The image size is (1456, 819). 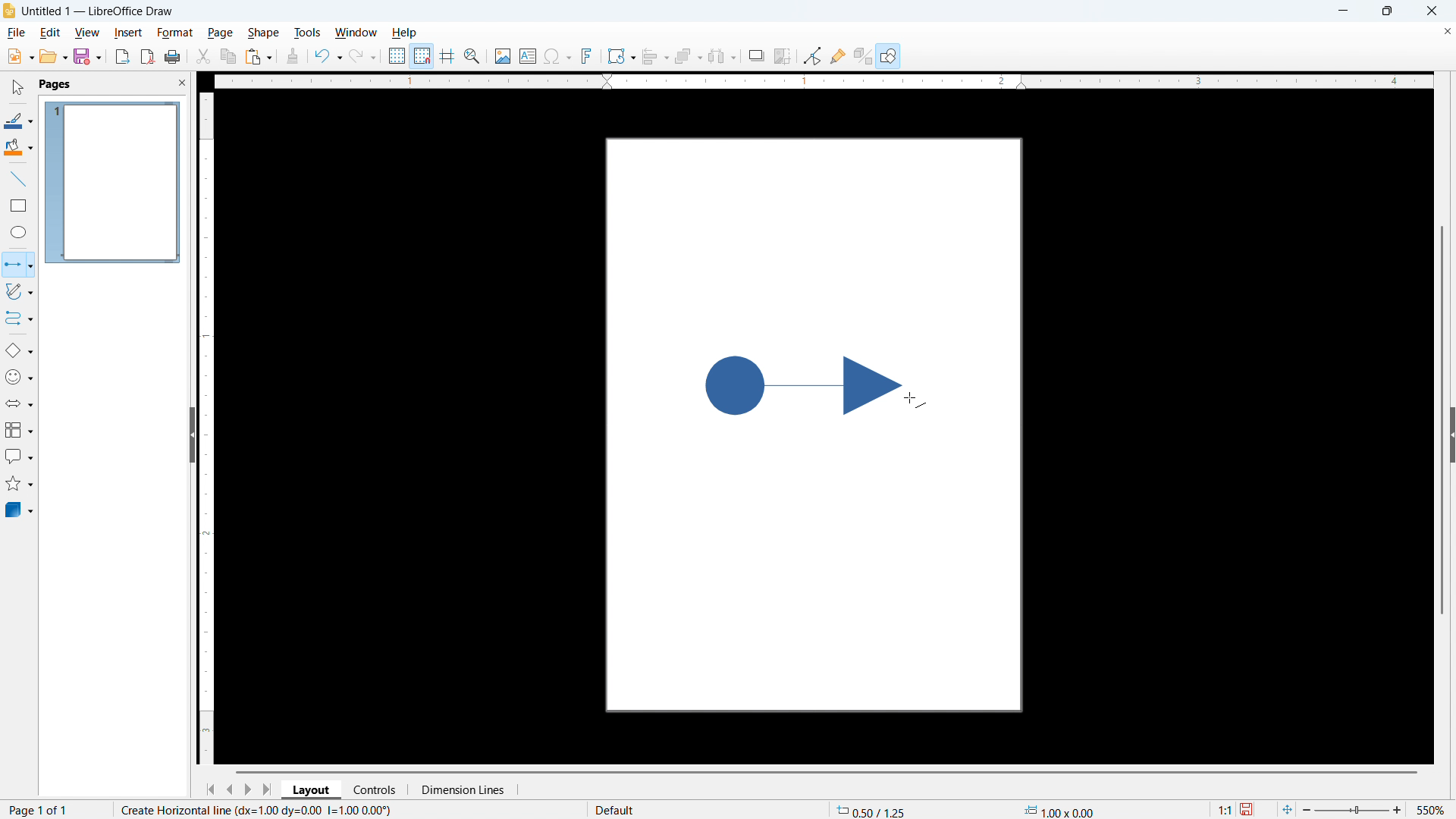 I want to click on Create Horizontal line (dx=1.00 dy=0.00 I=1.00 0.00°), so click(x=253, y=810).